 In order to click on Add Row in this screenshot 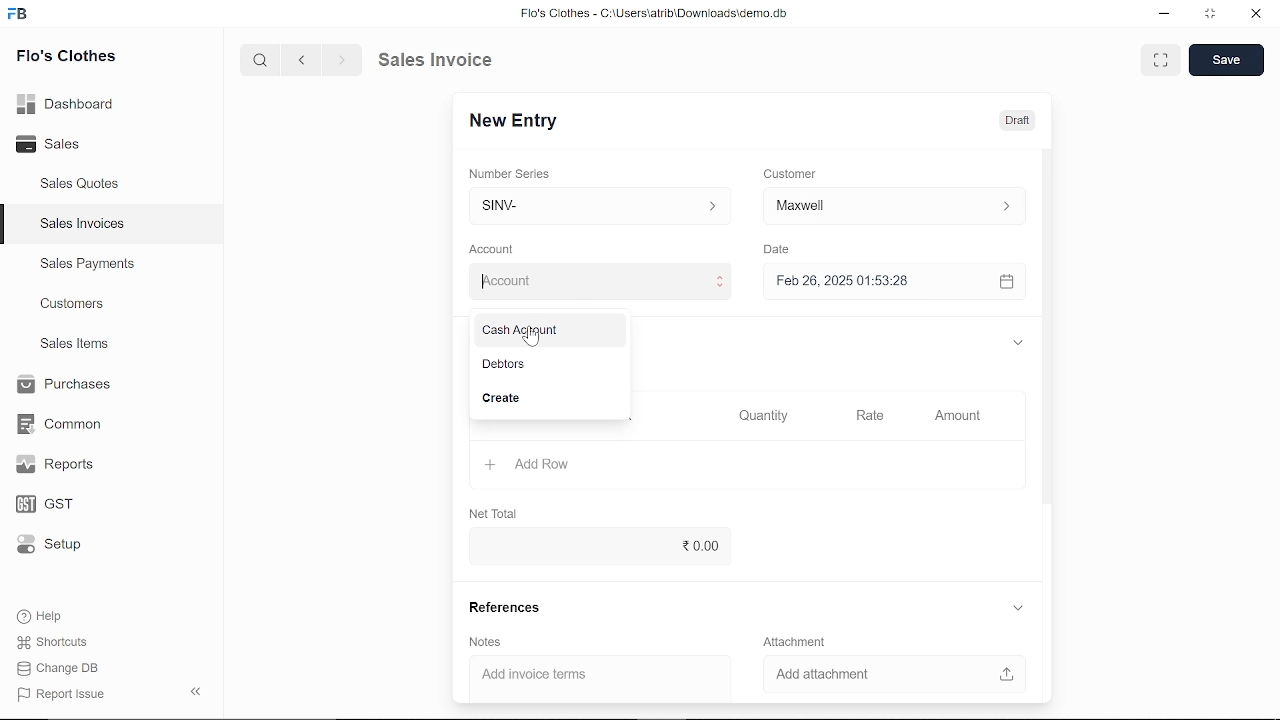, I will do `click(529, 465)`.